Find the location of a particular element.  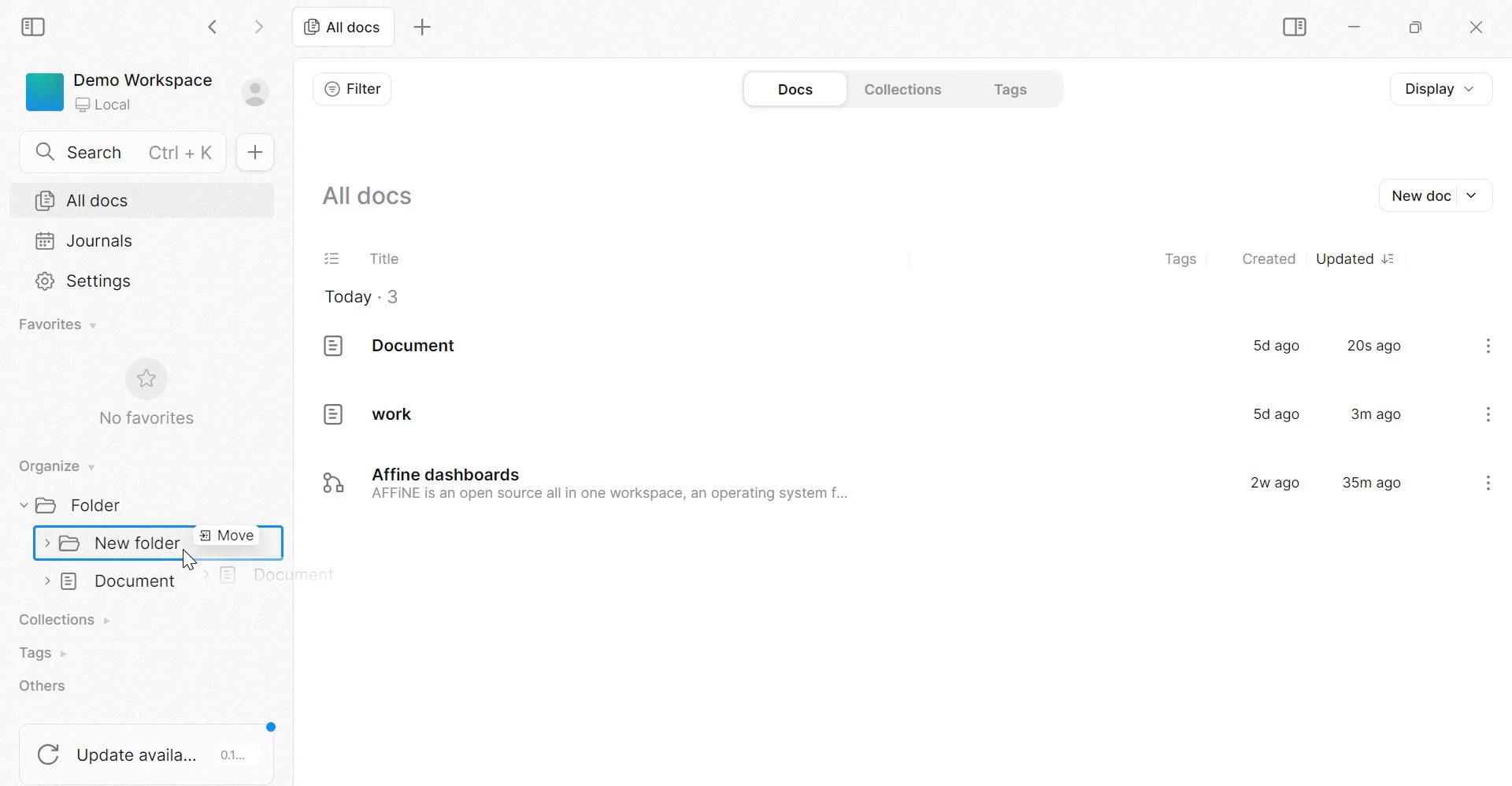

work is located at coordinates (361, 413).